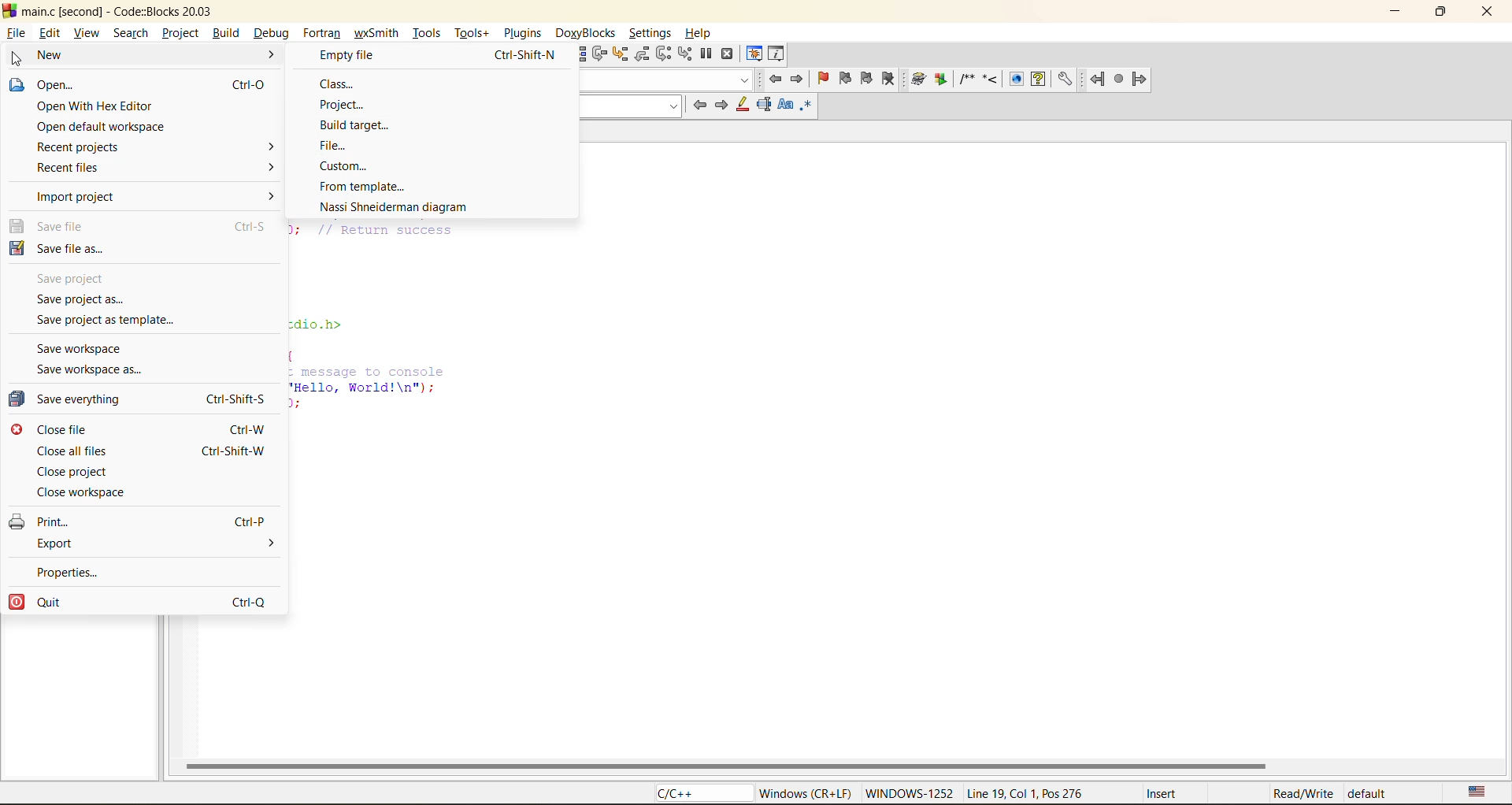  What do you see at coordinates (112, 322) in the screenshot?
I see `save project as template` at bounding box center [112, 322].